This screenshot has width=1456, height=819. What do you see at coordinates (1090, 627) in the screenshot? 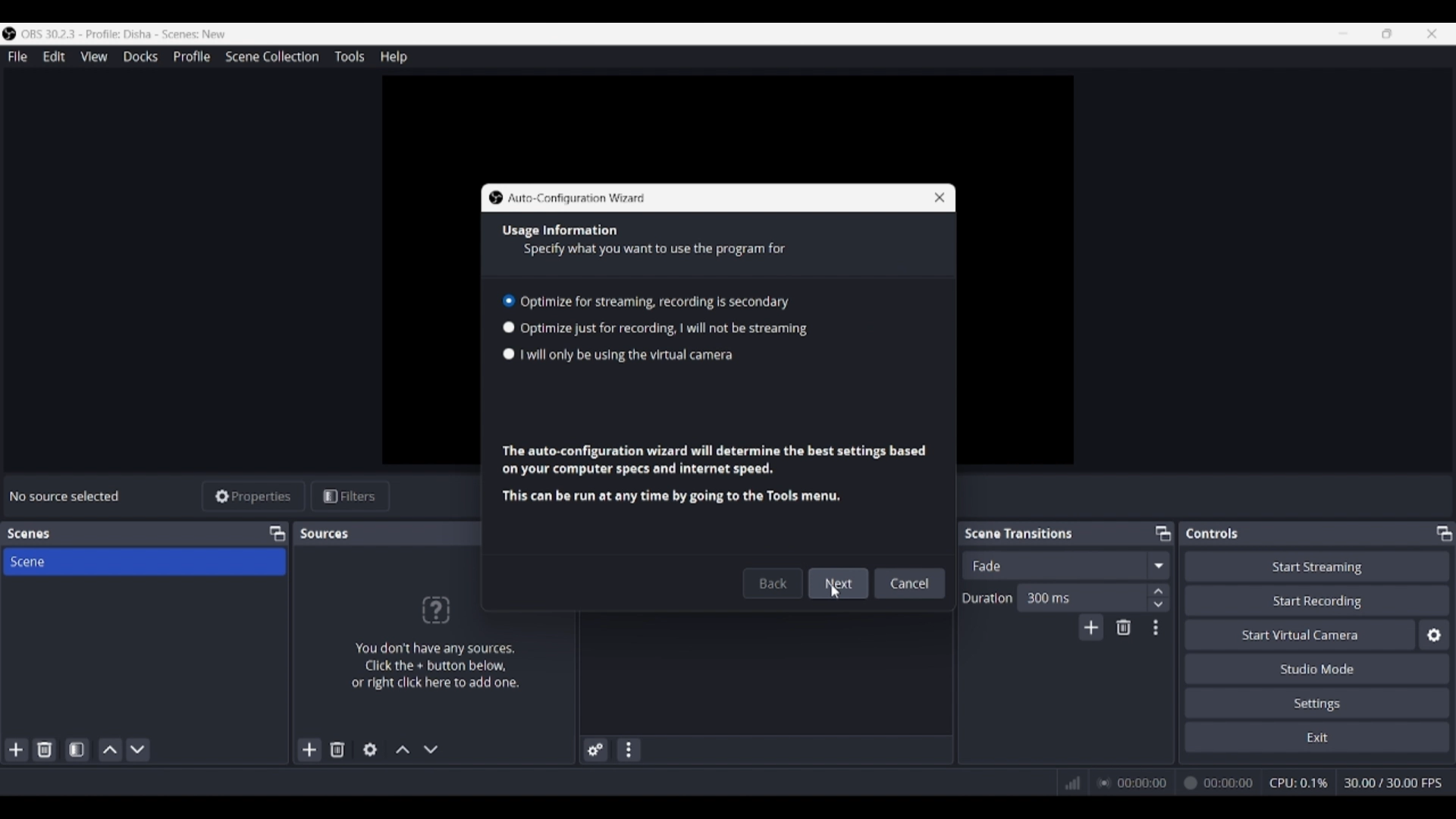
I see `Add transition` at bounding box center [1090, 627].